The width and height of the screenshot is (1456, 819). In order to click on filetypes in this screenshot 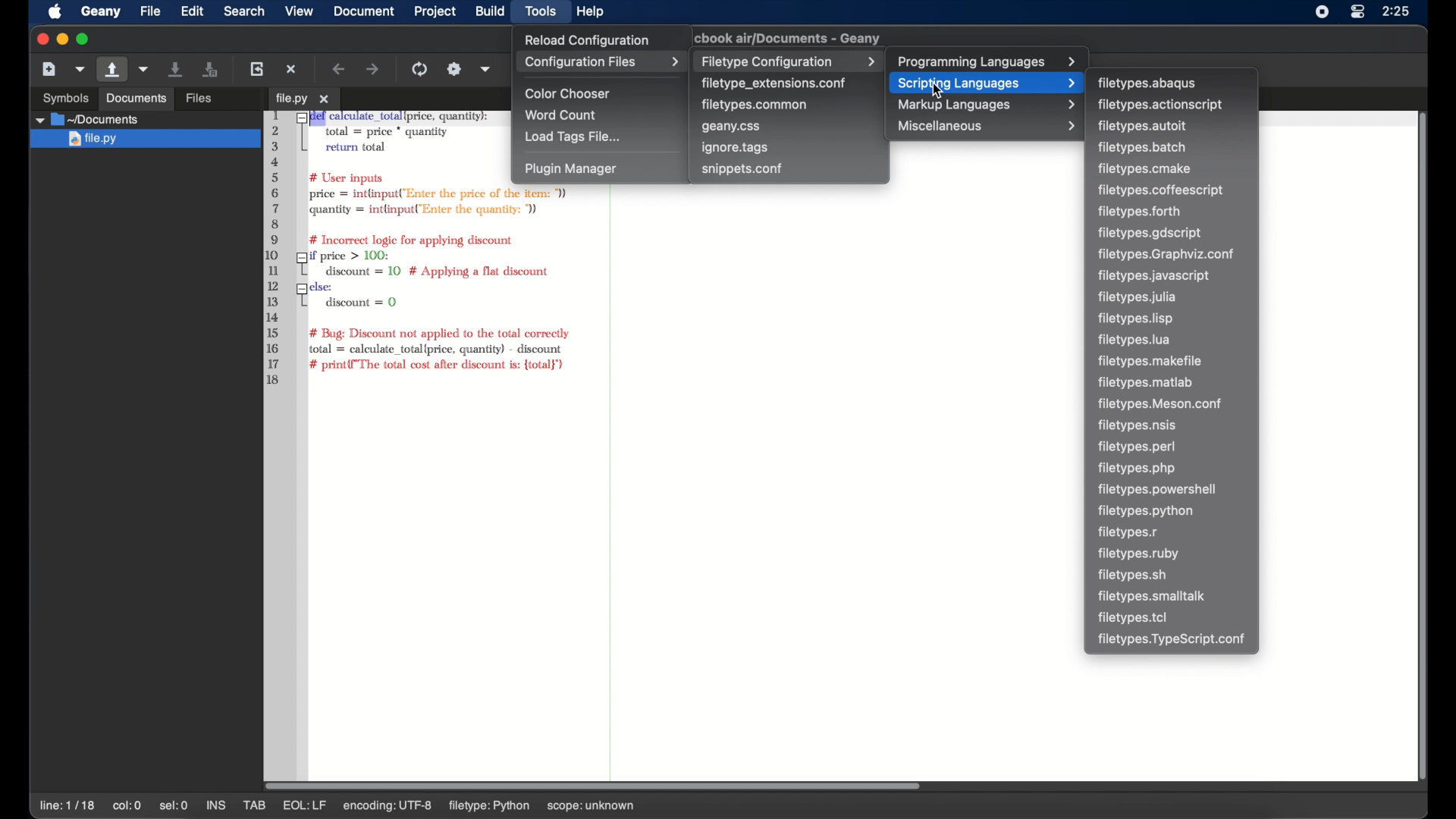, I will do `click(1163, 404)`.